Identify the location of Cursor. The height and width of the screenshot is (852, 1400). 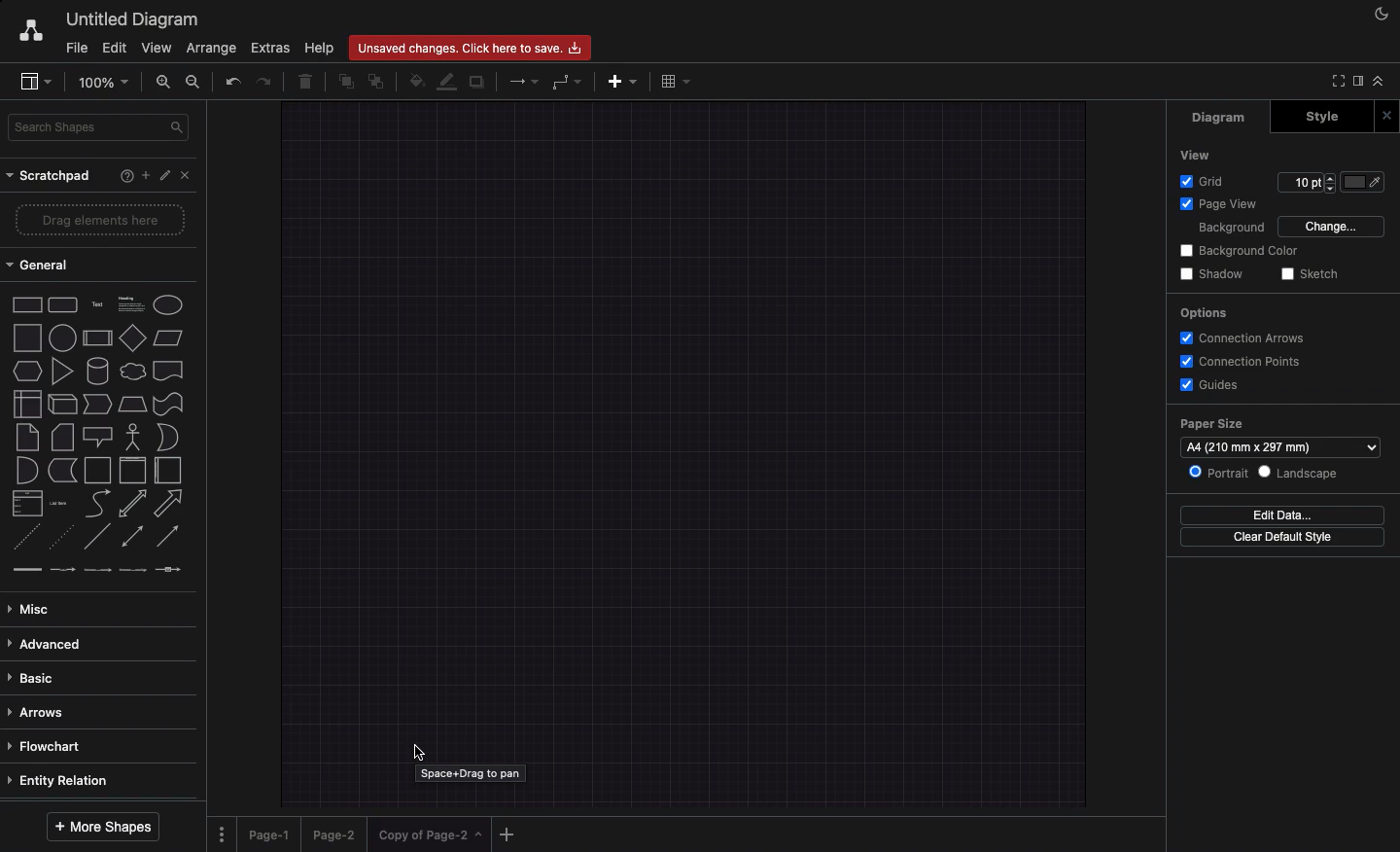
(420, 751).